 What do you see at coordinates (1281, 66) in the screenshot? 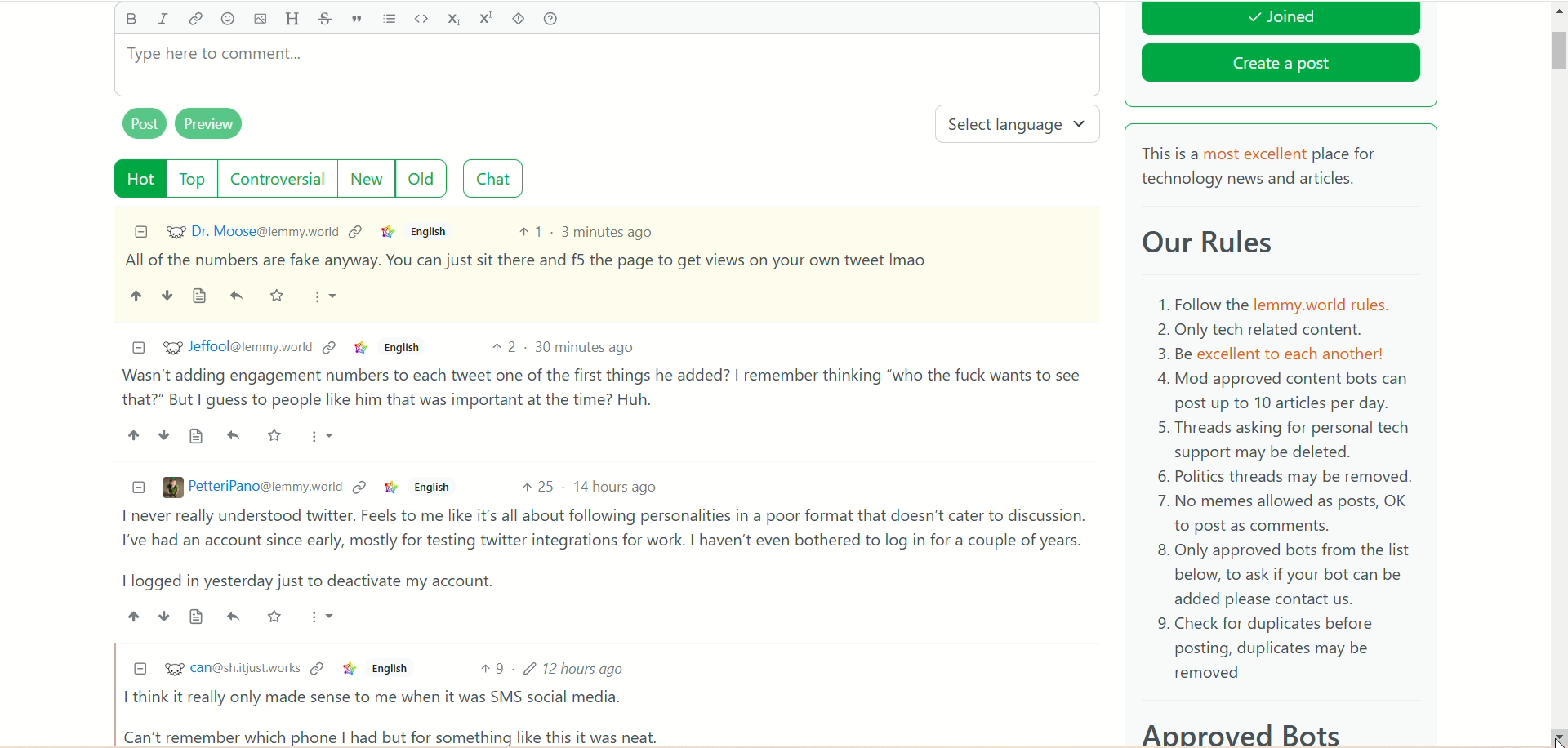
I see `create a post` at bounding box center [1281, 66].